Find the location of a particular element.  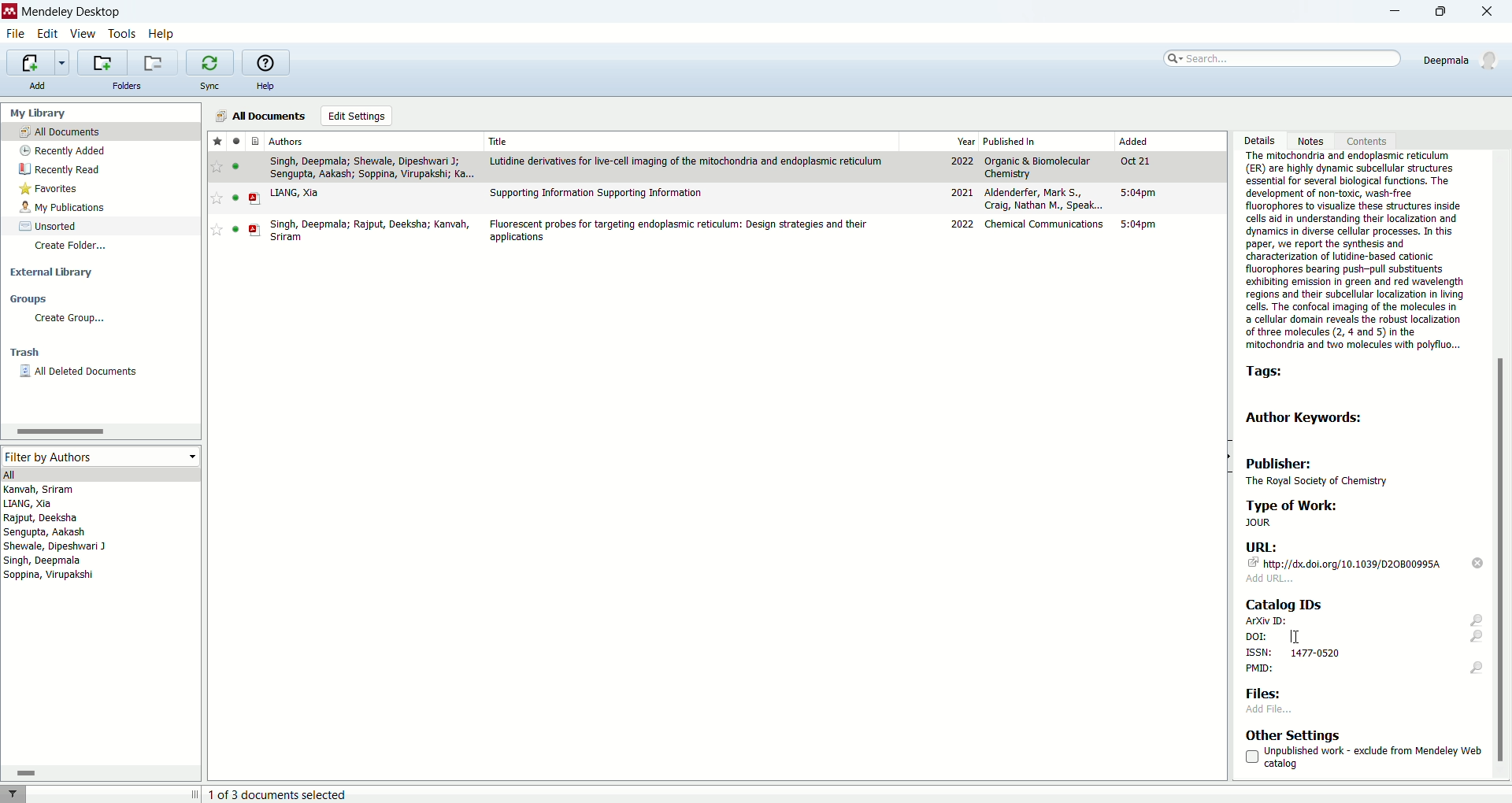

details is located at coordinates (1258, 141).